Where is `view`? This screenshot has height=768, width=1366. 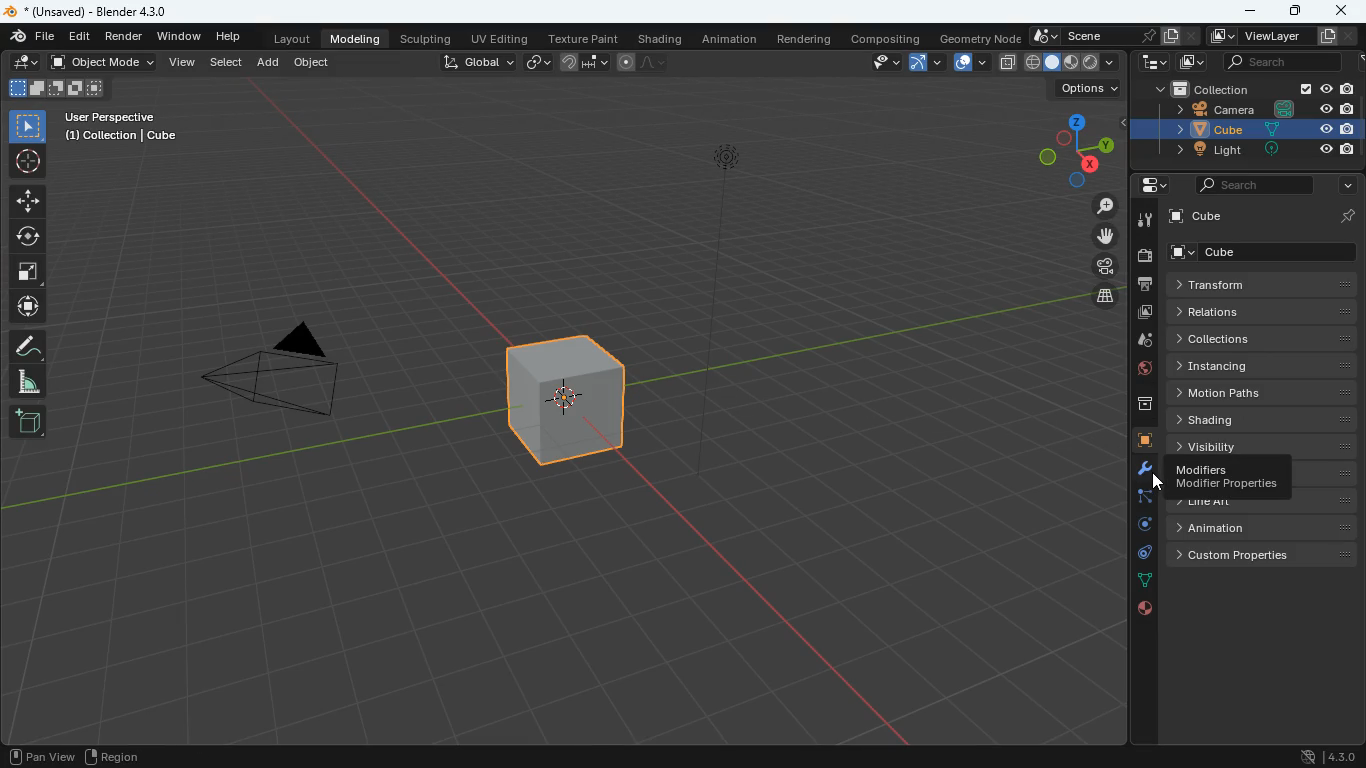
view is located at coordinates (180, 63).